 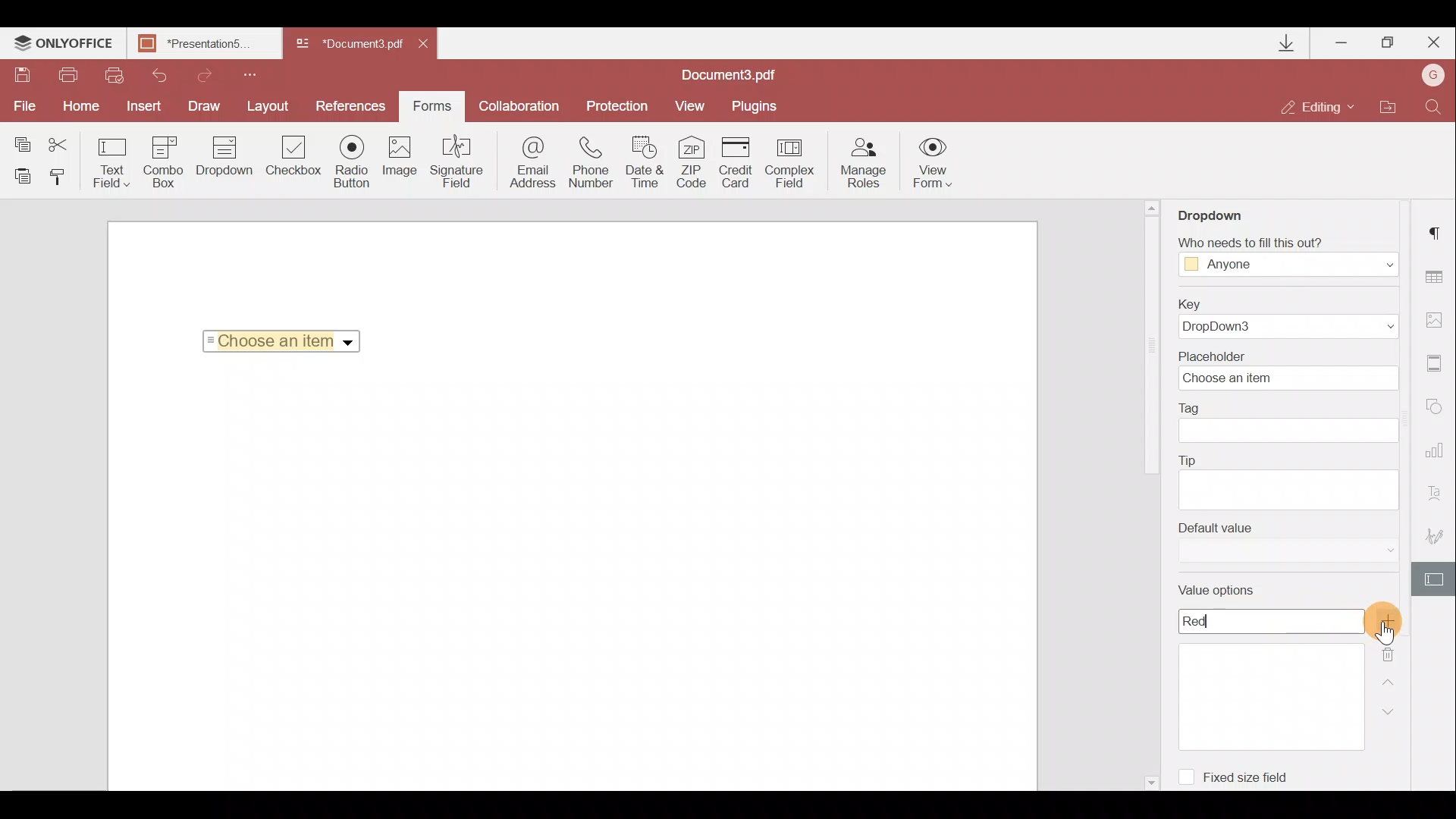 I want to click on Image, so click(x=403, y=161).